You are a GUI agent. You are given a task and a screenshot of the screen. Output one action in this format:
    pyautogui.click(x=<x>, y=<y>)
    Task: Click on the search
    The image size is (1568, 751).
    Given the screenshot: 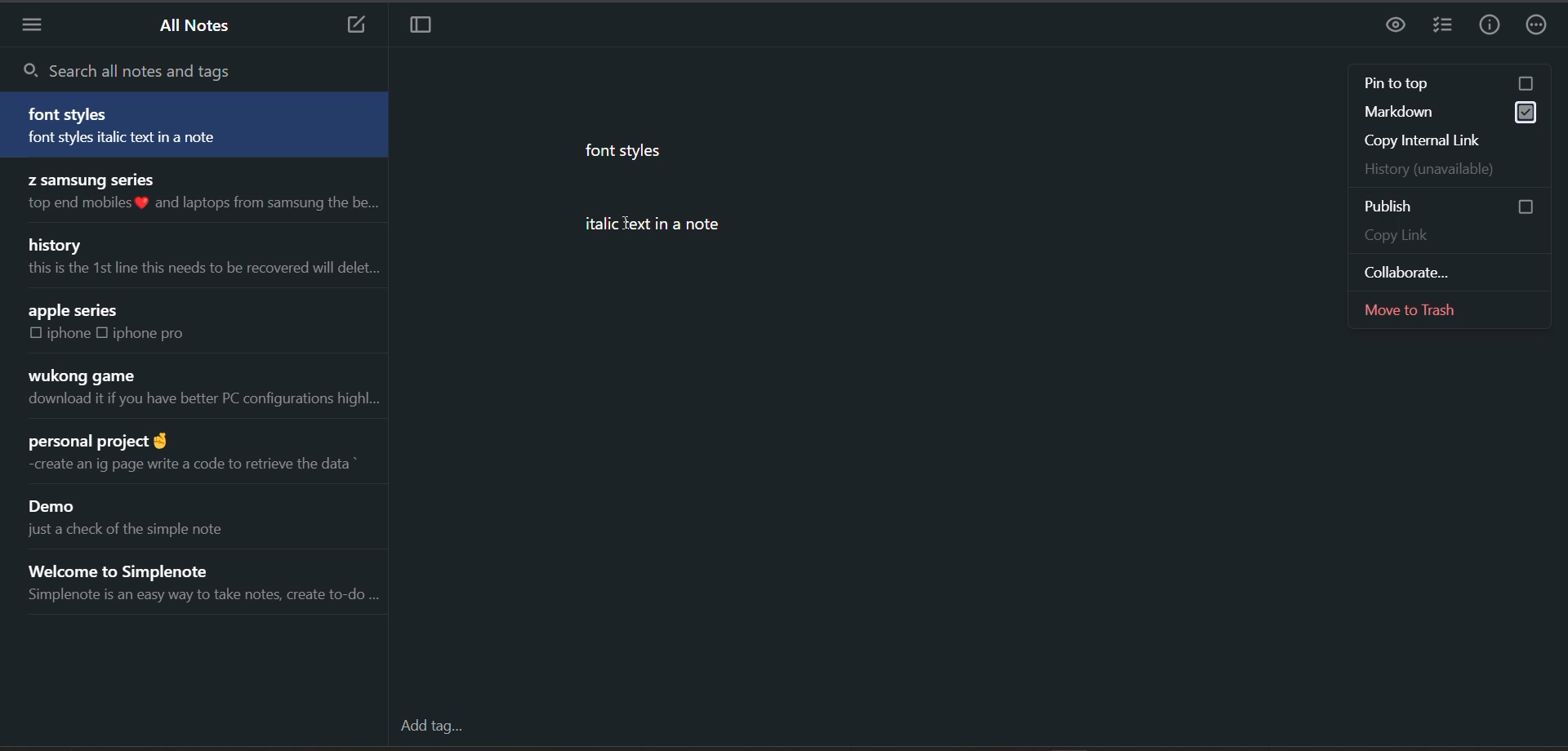 What is the action you would take?
    pyautogui.click(x=152, y=68)
    